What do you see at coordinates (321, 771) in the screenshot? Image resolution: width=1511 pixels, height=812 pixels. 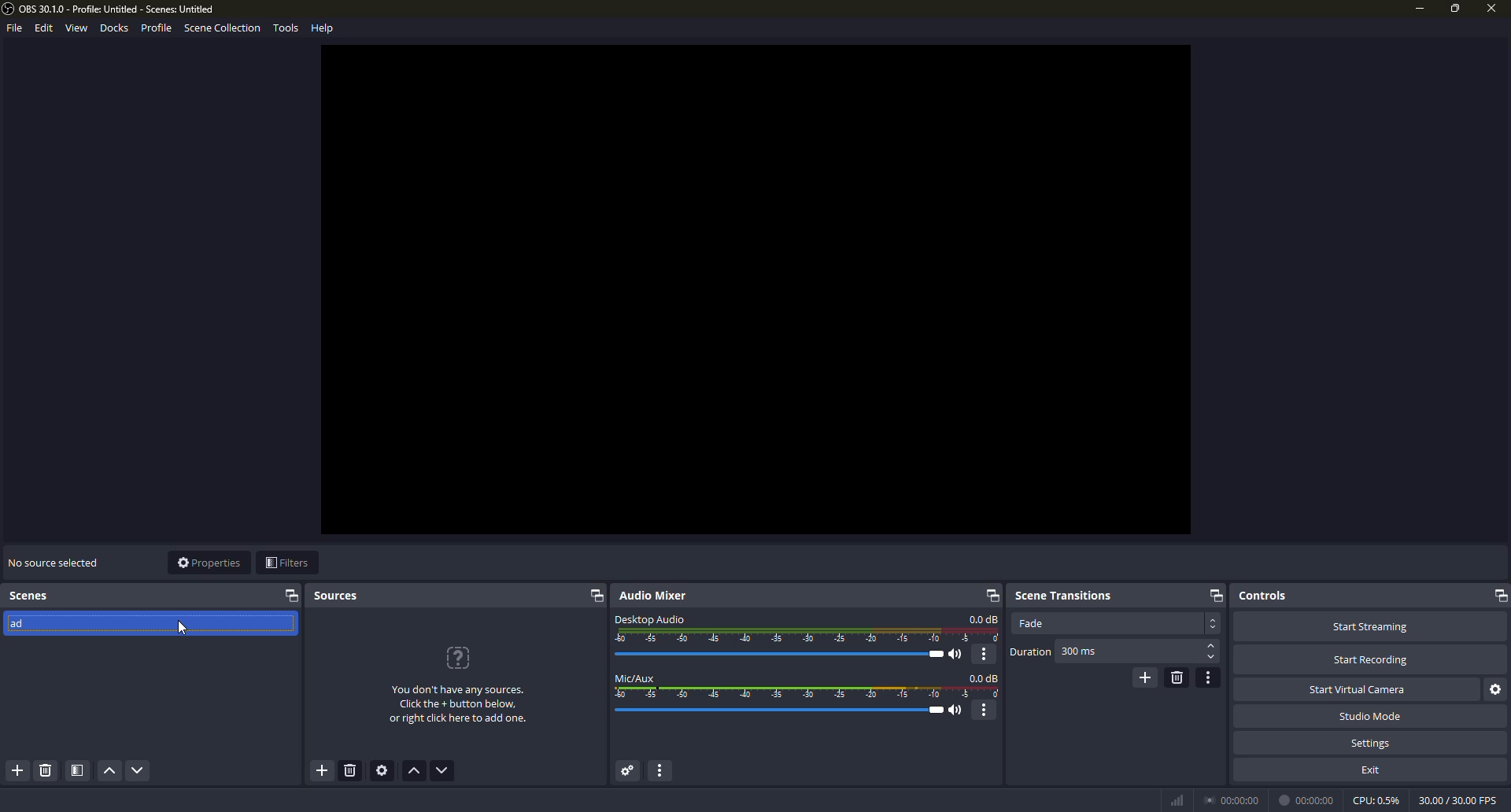 I see `add source` at bounding box center [321, 771].